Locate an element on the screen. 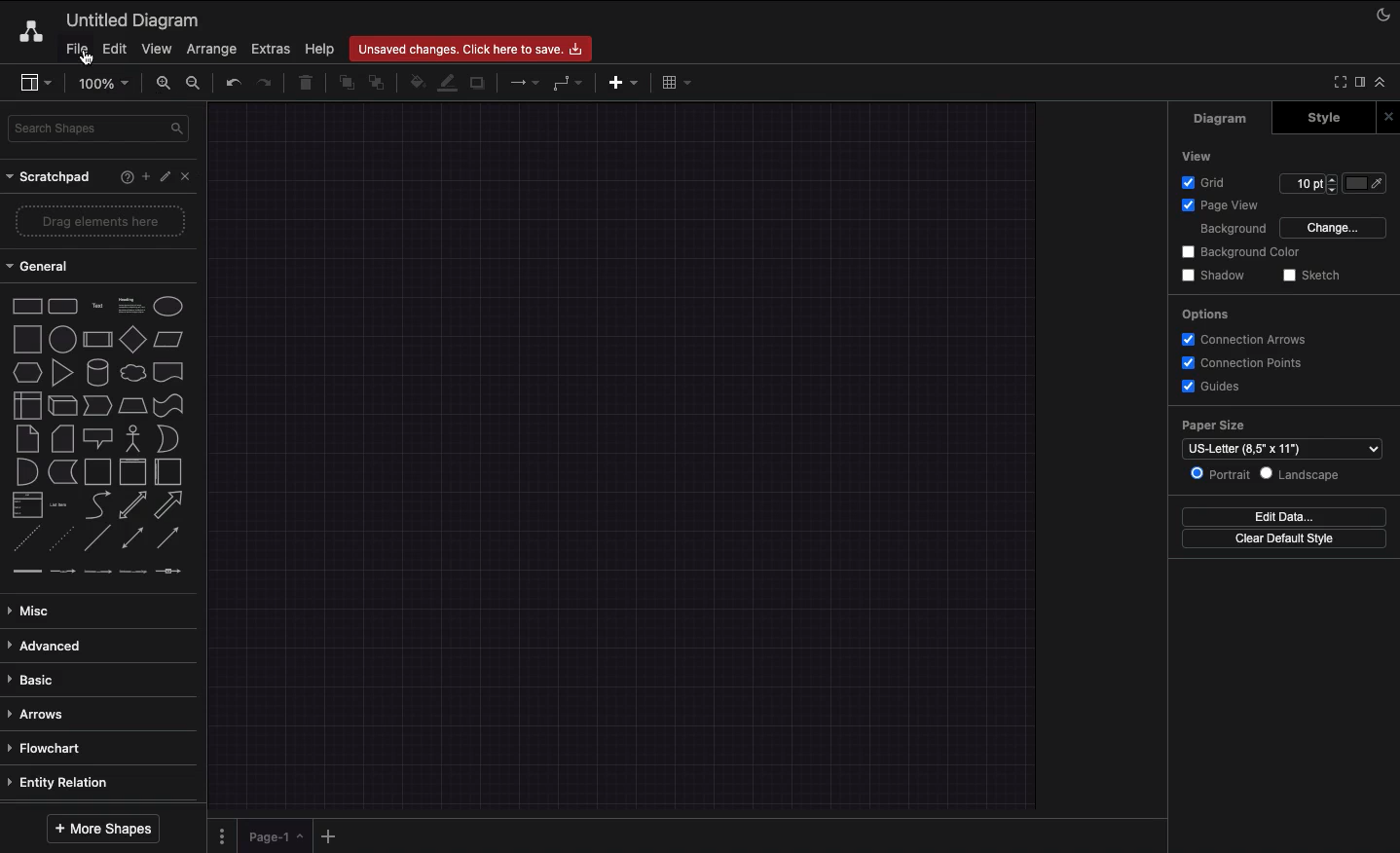  Insert is located at coordinates (618, 81).